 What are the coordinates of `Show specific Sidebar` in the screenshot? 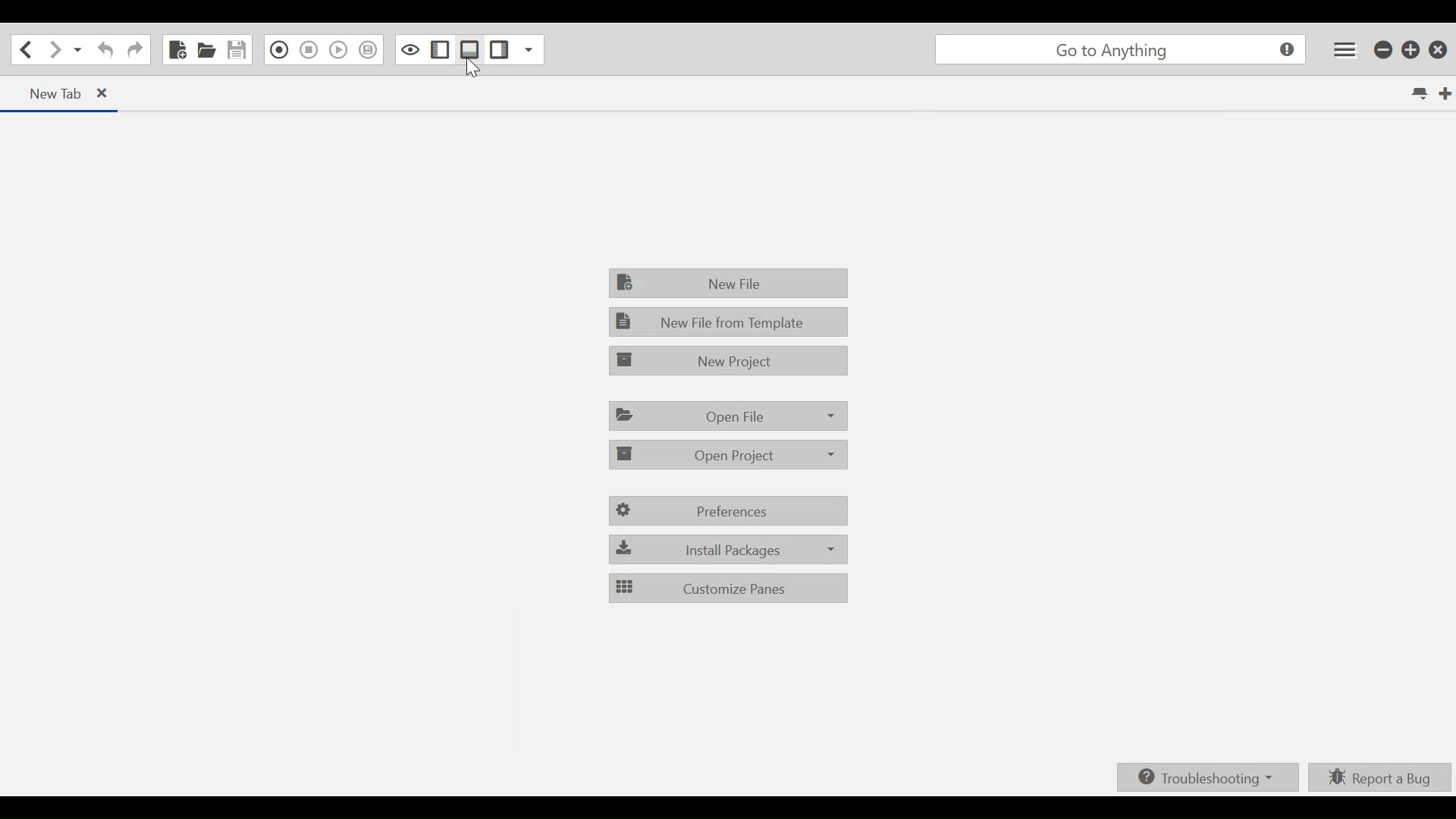 It's located at (529, 50).